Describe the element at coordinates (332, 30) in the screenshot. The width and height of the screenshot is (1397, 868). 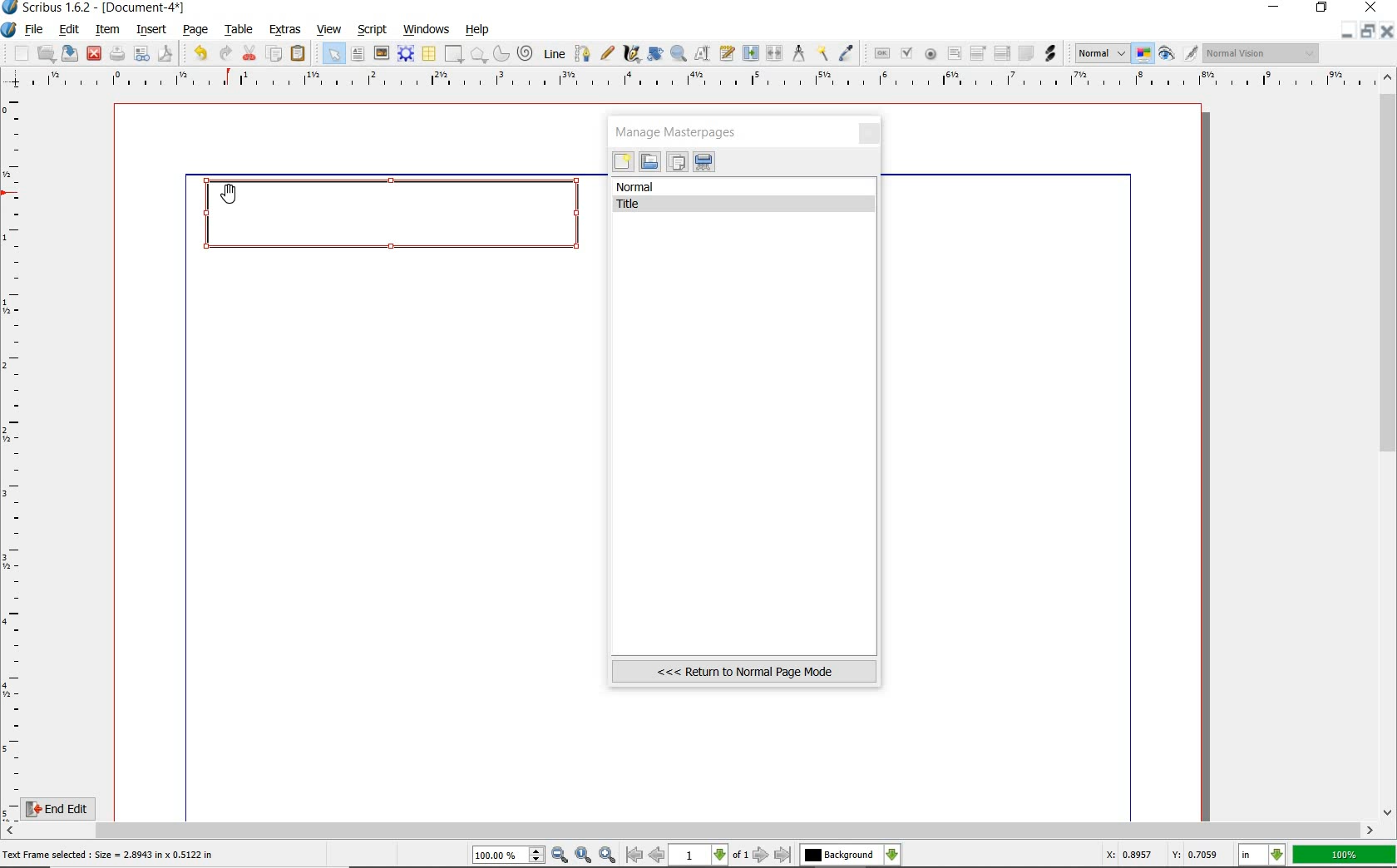
I see `view` at that location.